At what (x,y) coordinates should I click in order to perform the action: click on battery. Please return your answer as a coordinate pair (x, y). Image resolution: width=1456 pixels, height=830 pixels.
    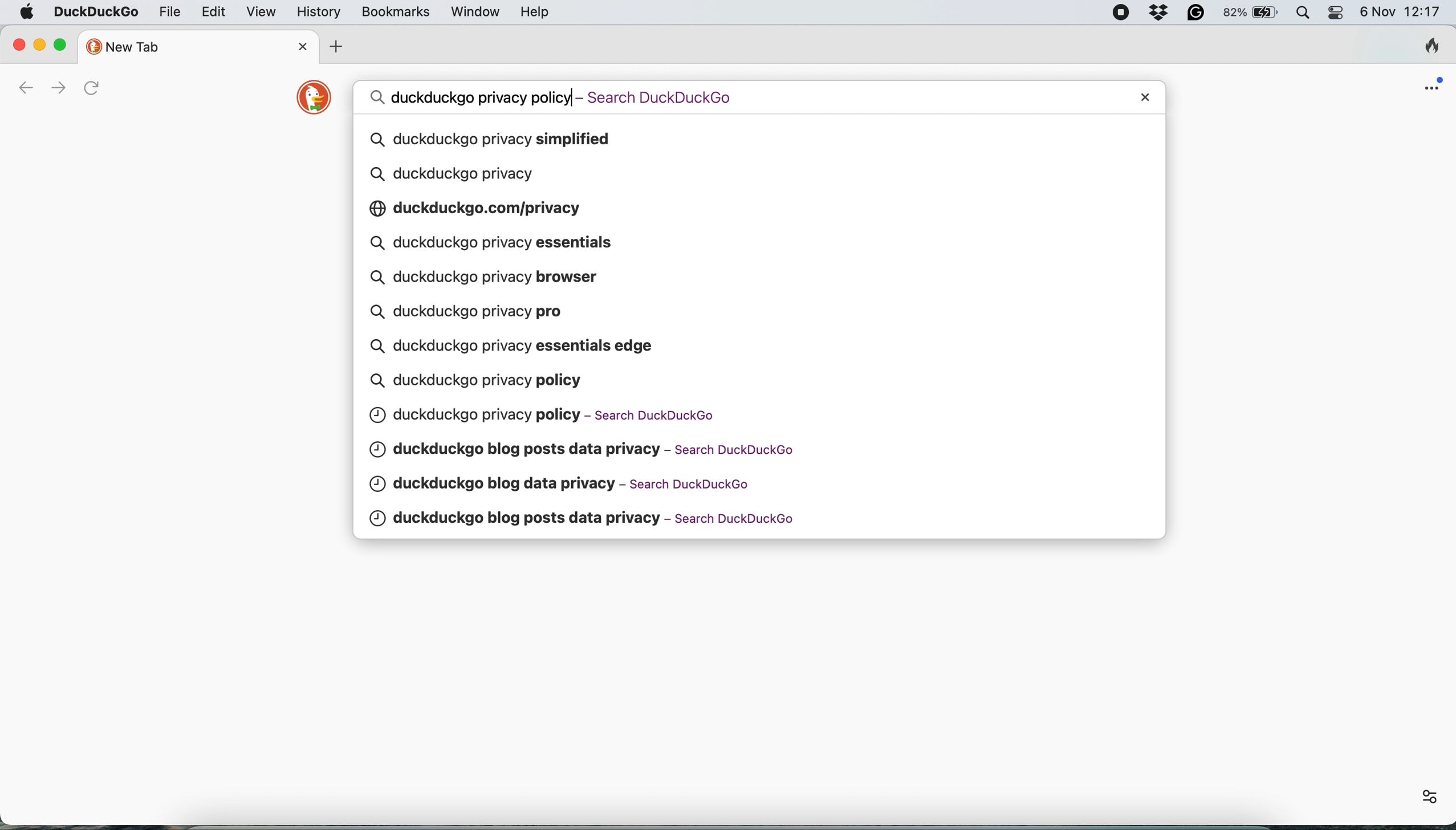
    Looking at the image, I should click on (1250, 12).